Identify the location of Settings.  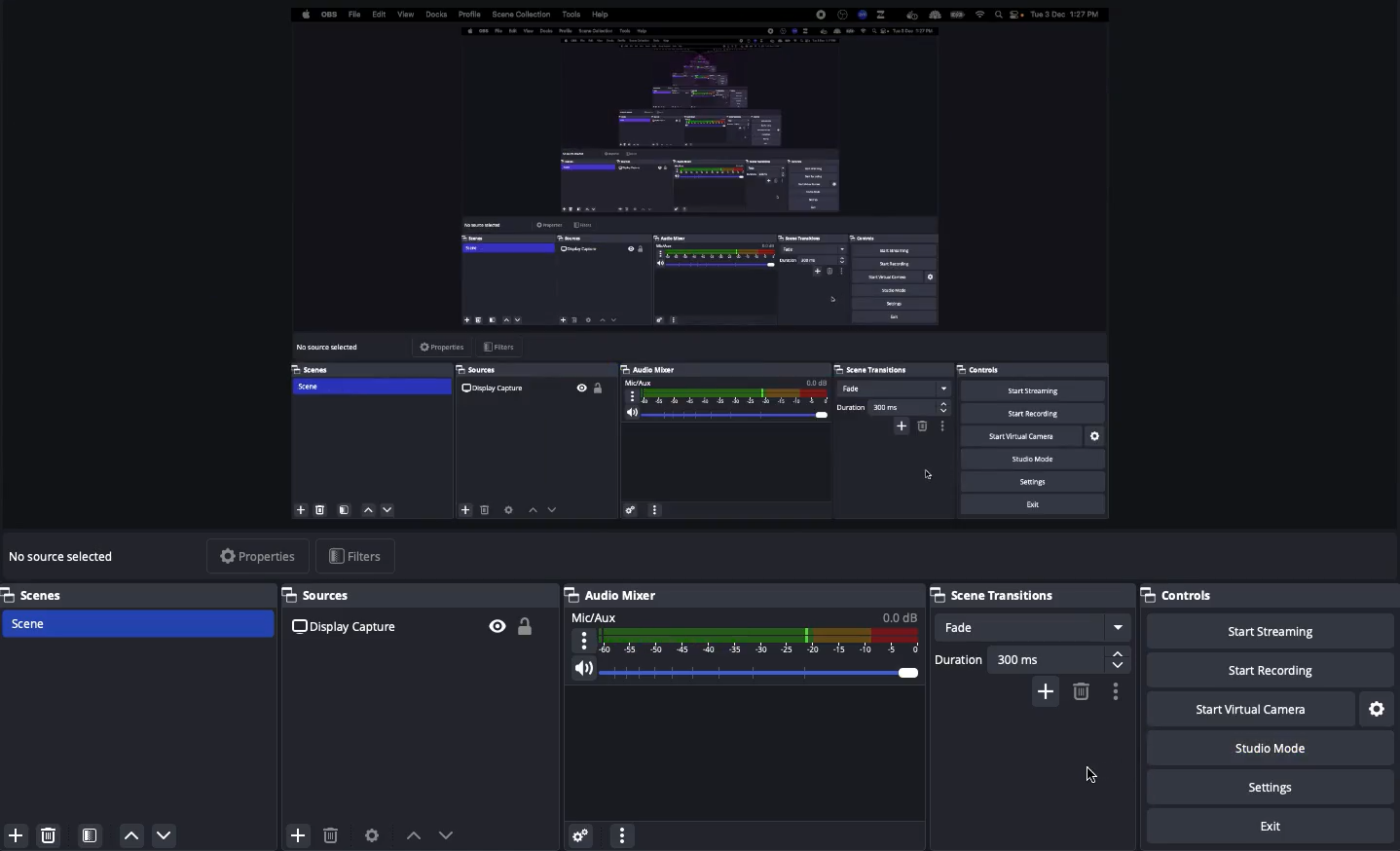
(1379, 707).